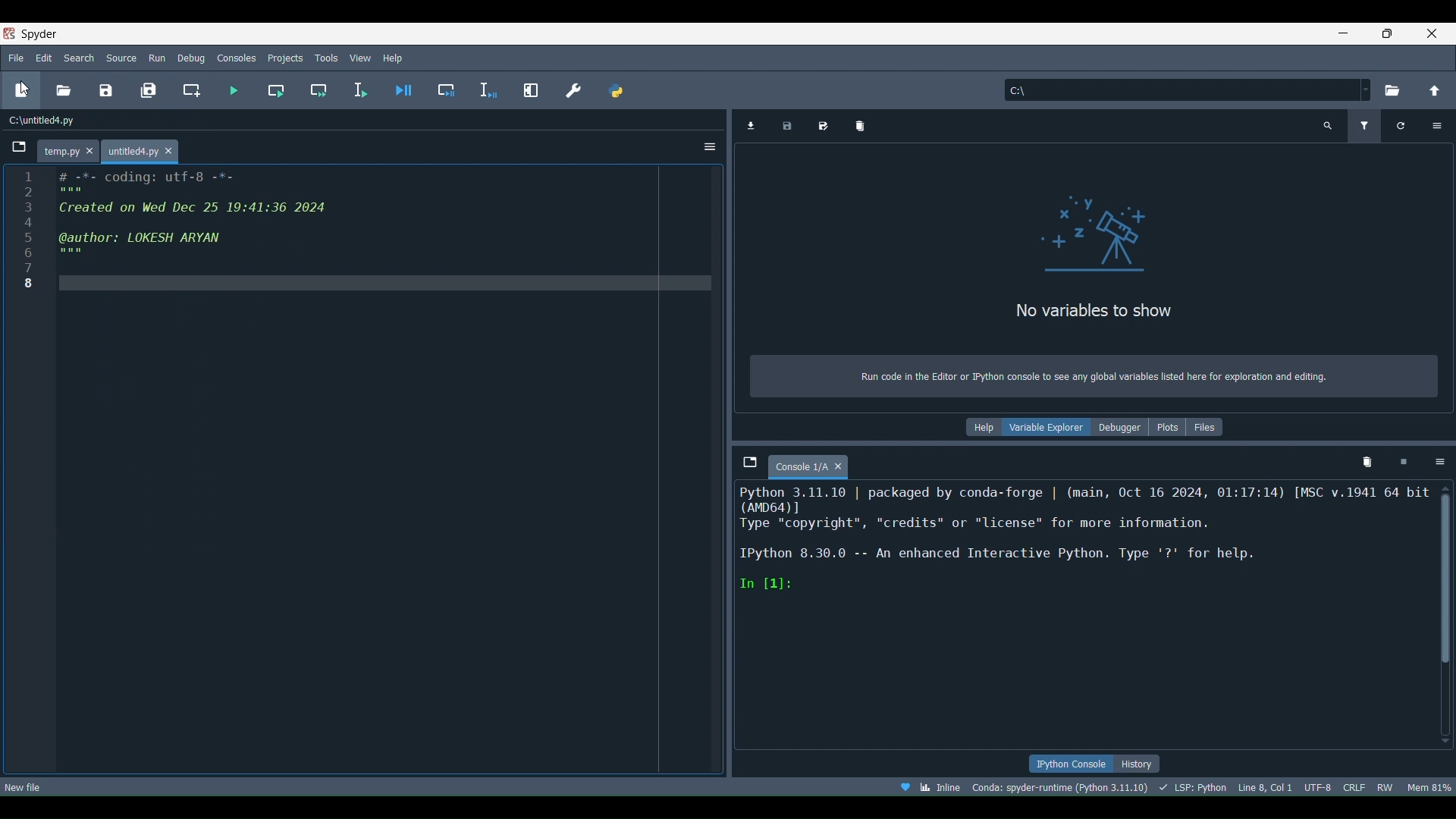 Image resolution: width=1456 pixels, height=819 pixels. I want to click on New file (Ctrl + N), so click(21, 91).